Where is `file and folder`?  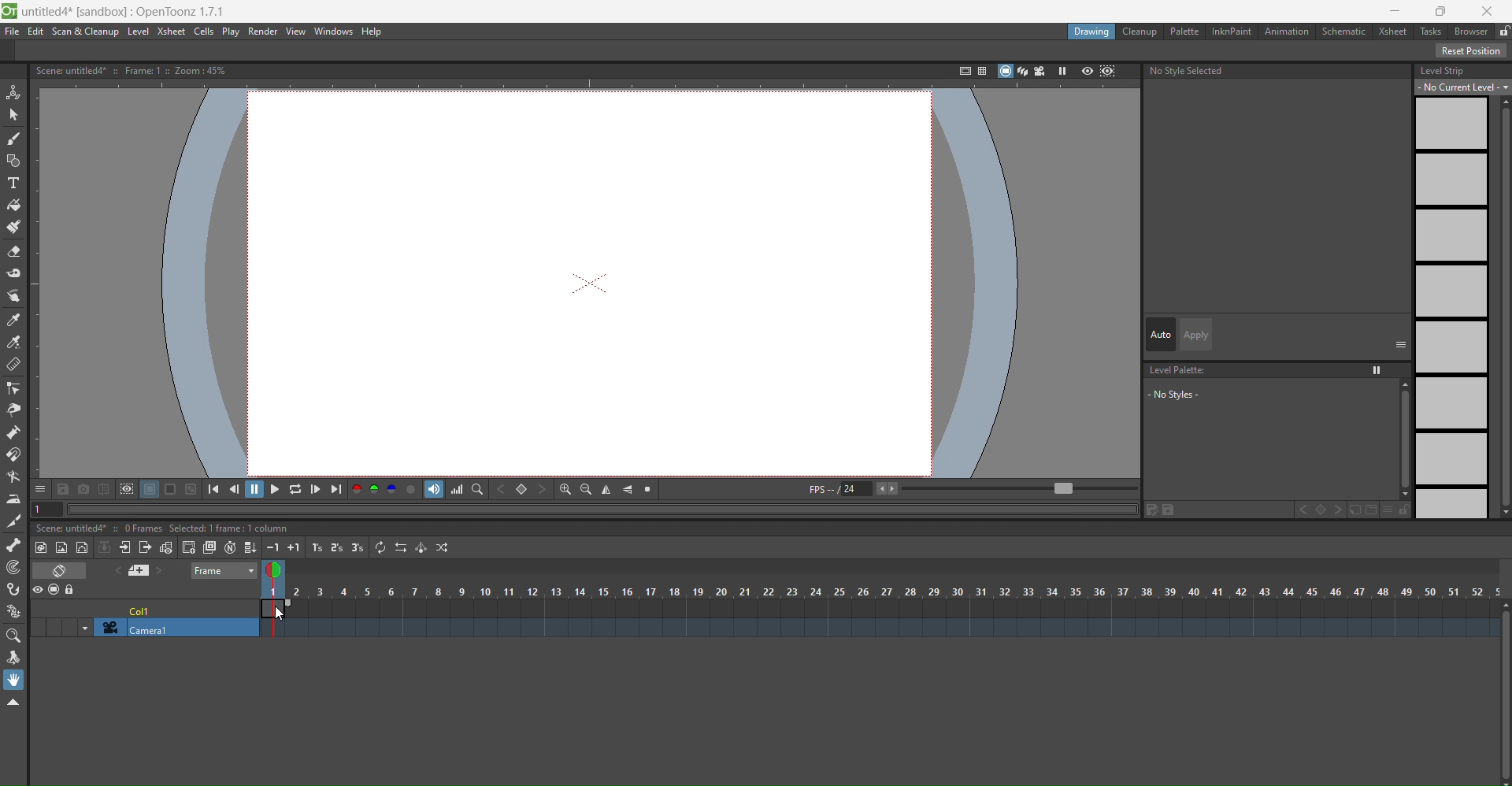
file and folder is located at coordinates (1363, 510).